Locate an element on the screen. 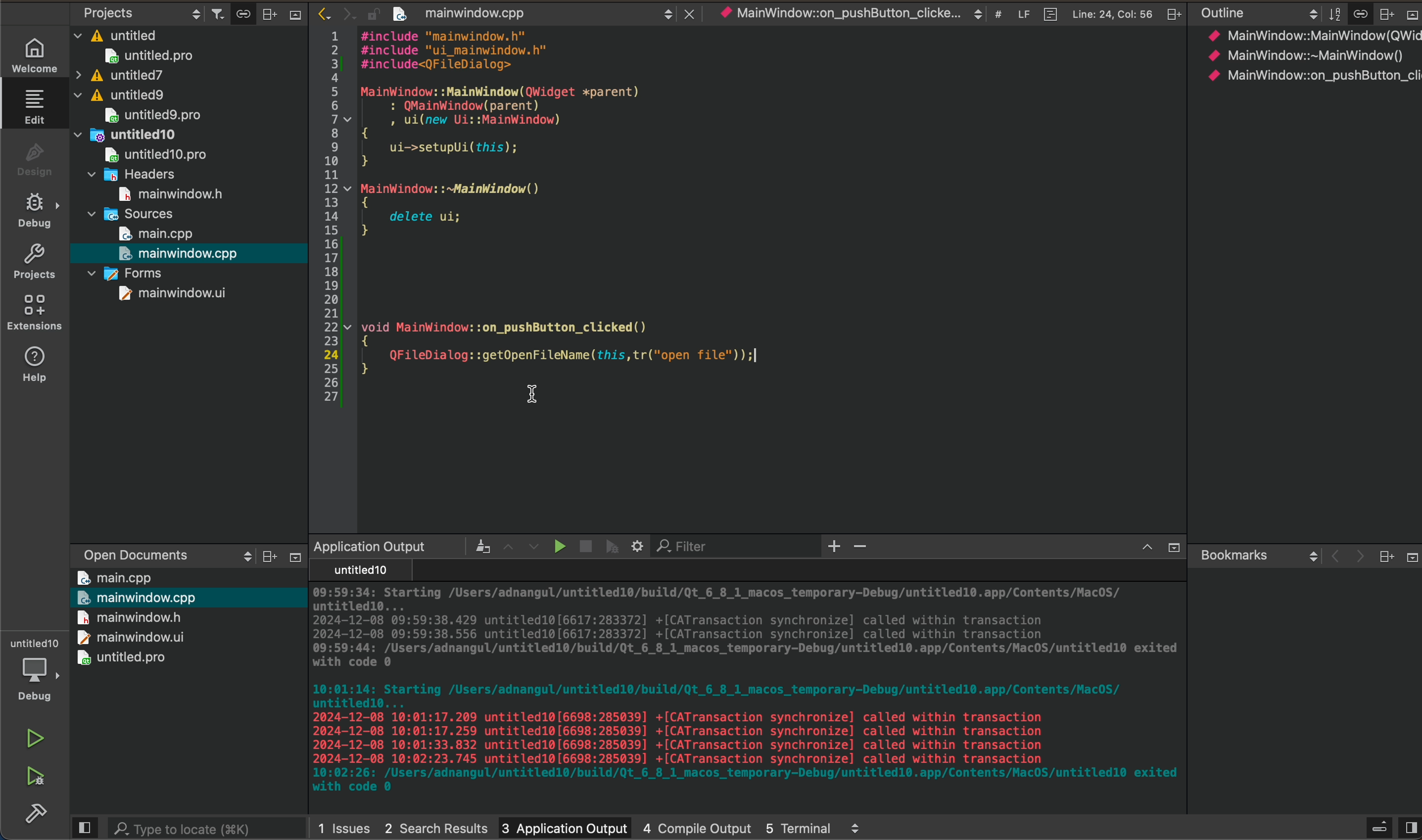  design is located at coordinates (33, 159).